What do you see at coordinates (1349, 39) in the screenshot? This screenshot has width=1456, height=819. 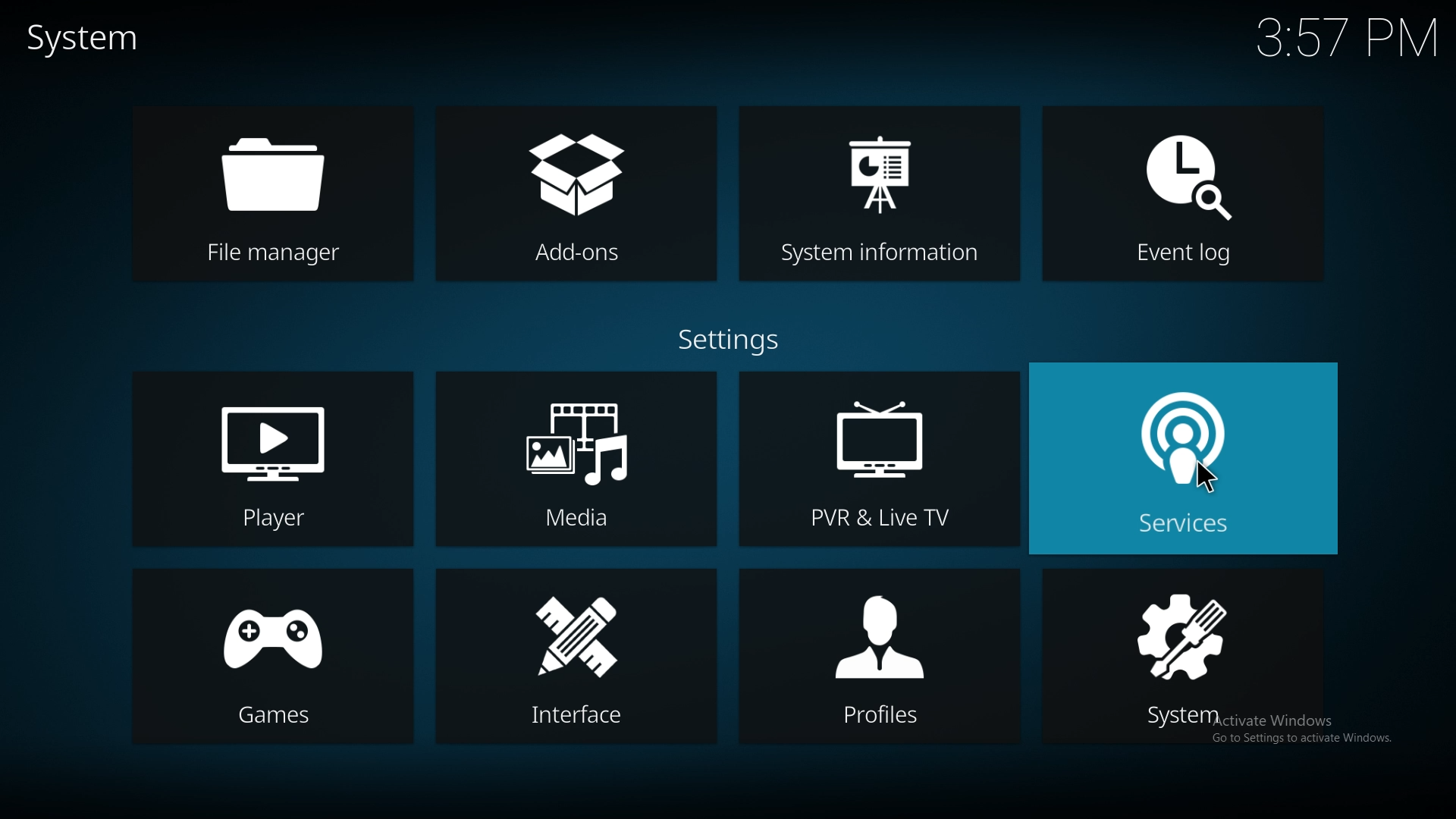 I see `Time` at bounding box center [1349, 39].